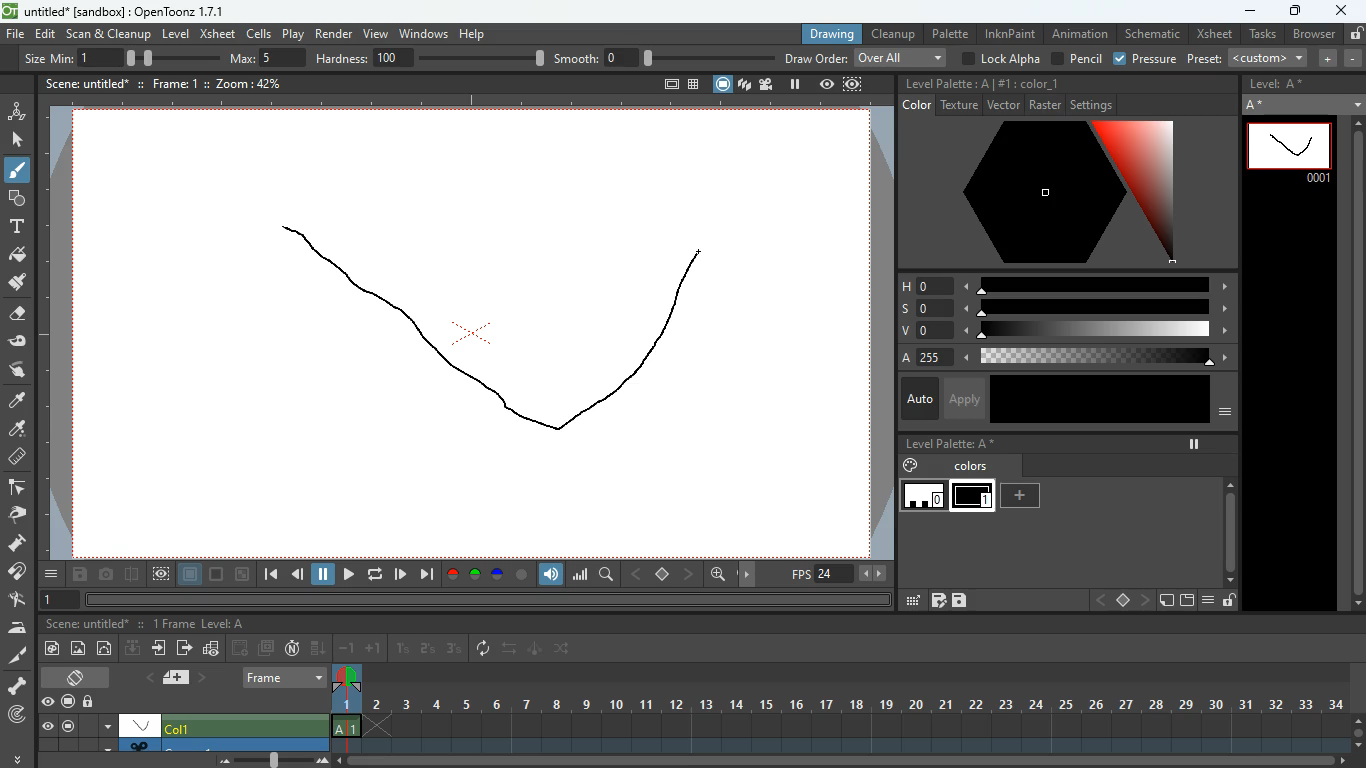 The width and height of the screenshot is (1366, 768). Describe the element at coordinates (16, 657) in the screenshot. I see `cut` at that location.